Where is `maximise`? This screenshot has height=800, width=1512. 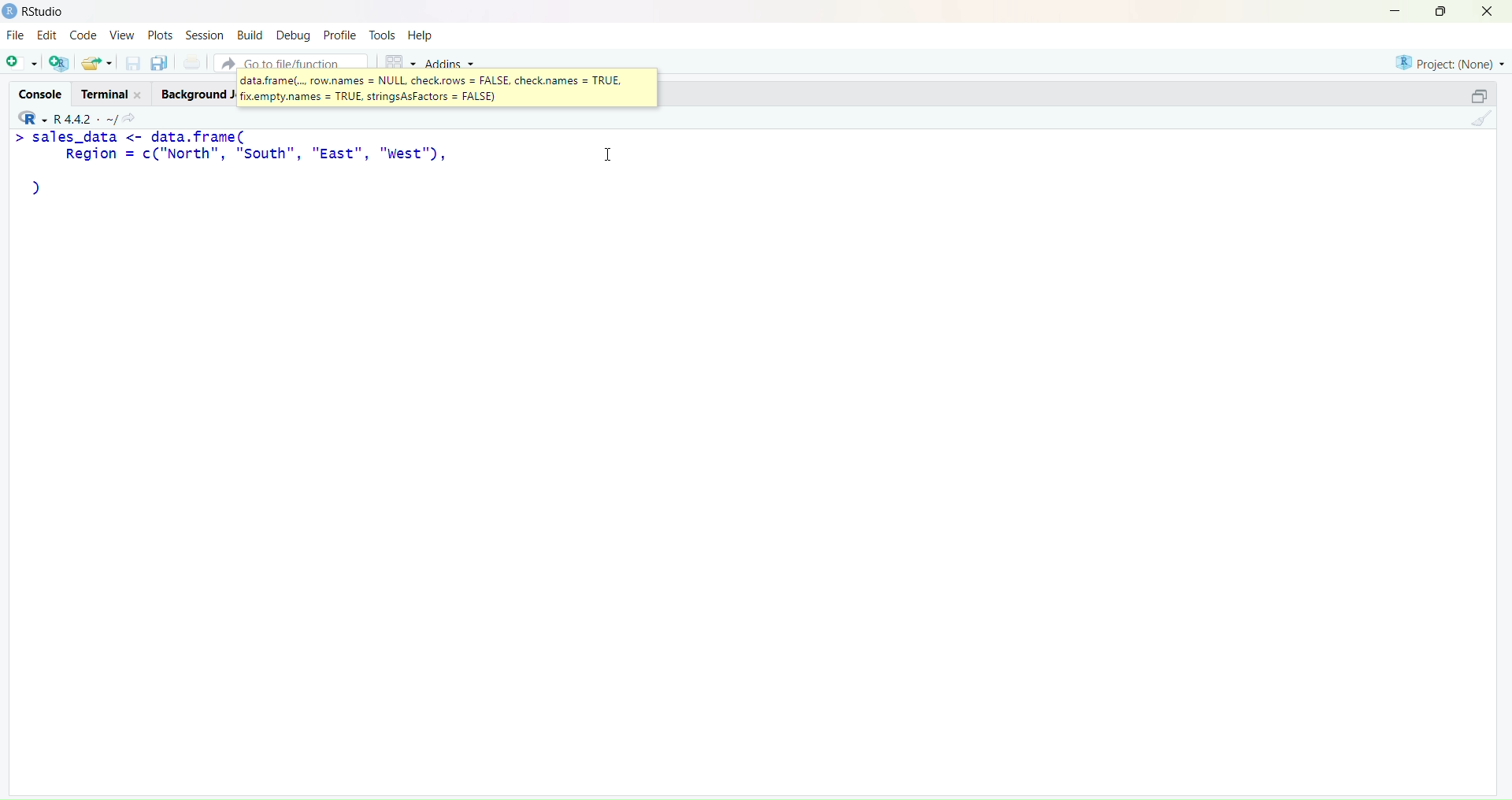
maximise is located at coordinates (1444, 11).